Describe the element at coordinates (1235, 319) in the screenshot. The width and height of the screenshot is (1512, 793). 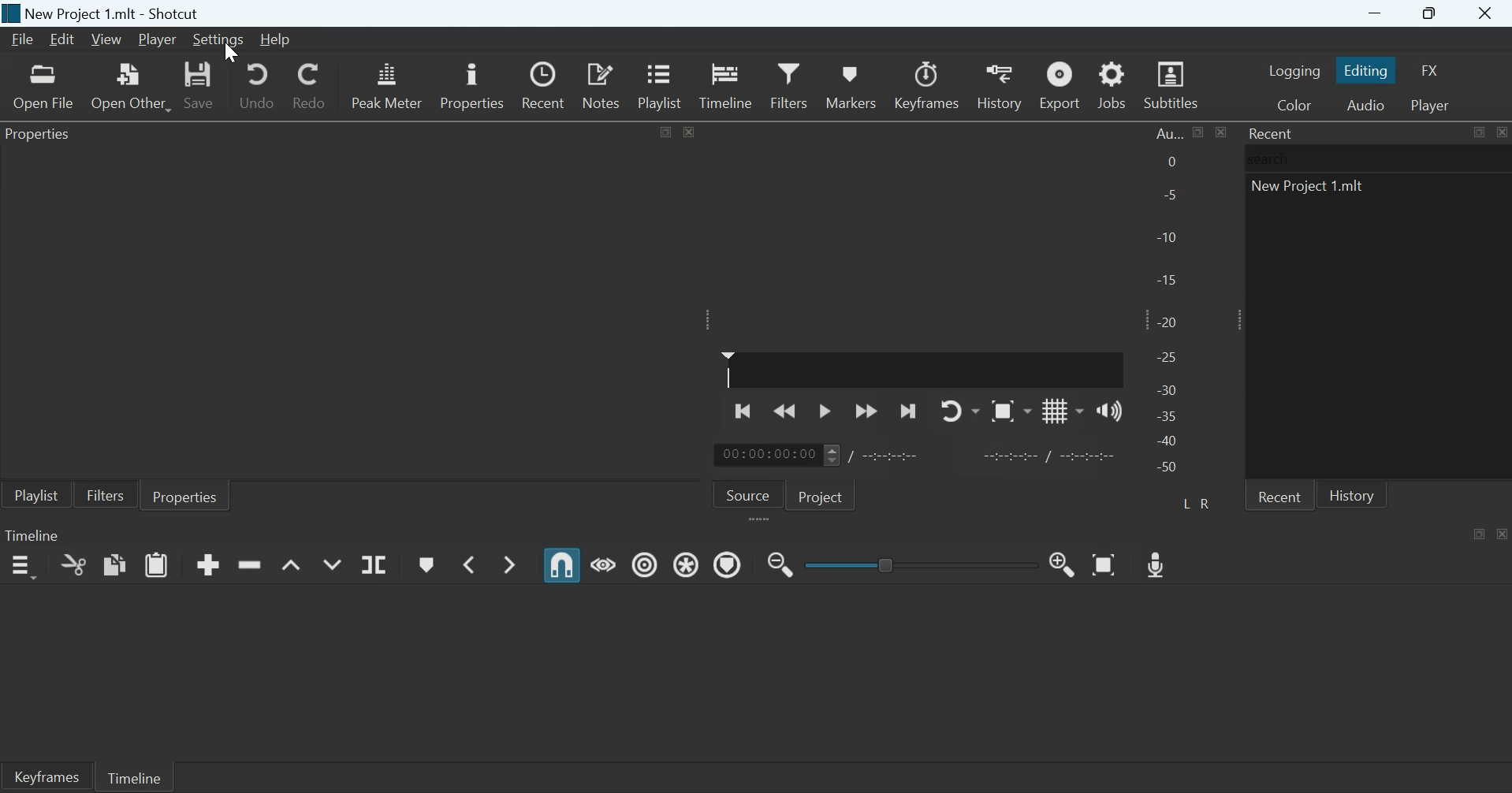
I see `Expand` at that location.